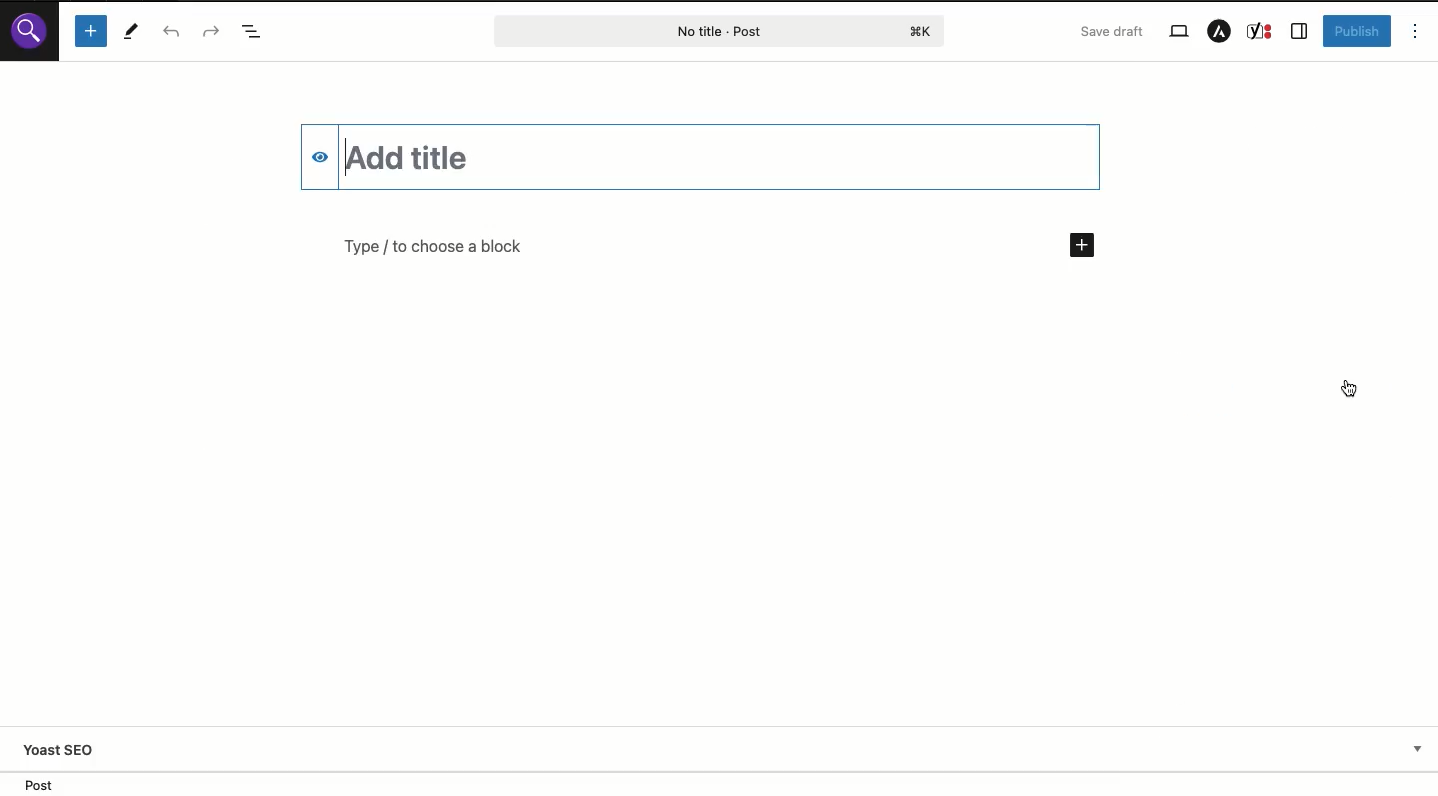 This screenshot has width=1438, height=796. Describe the element at coordinates (1114, 31) in the screenshot. I see `Save draft` at that location.